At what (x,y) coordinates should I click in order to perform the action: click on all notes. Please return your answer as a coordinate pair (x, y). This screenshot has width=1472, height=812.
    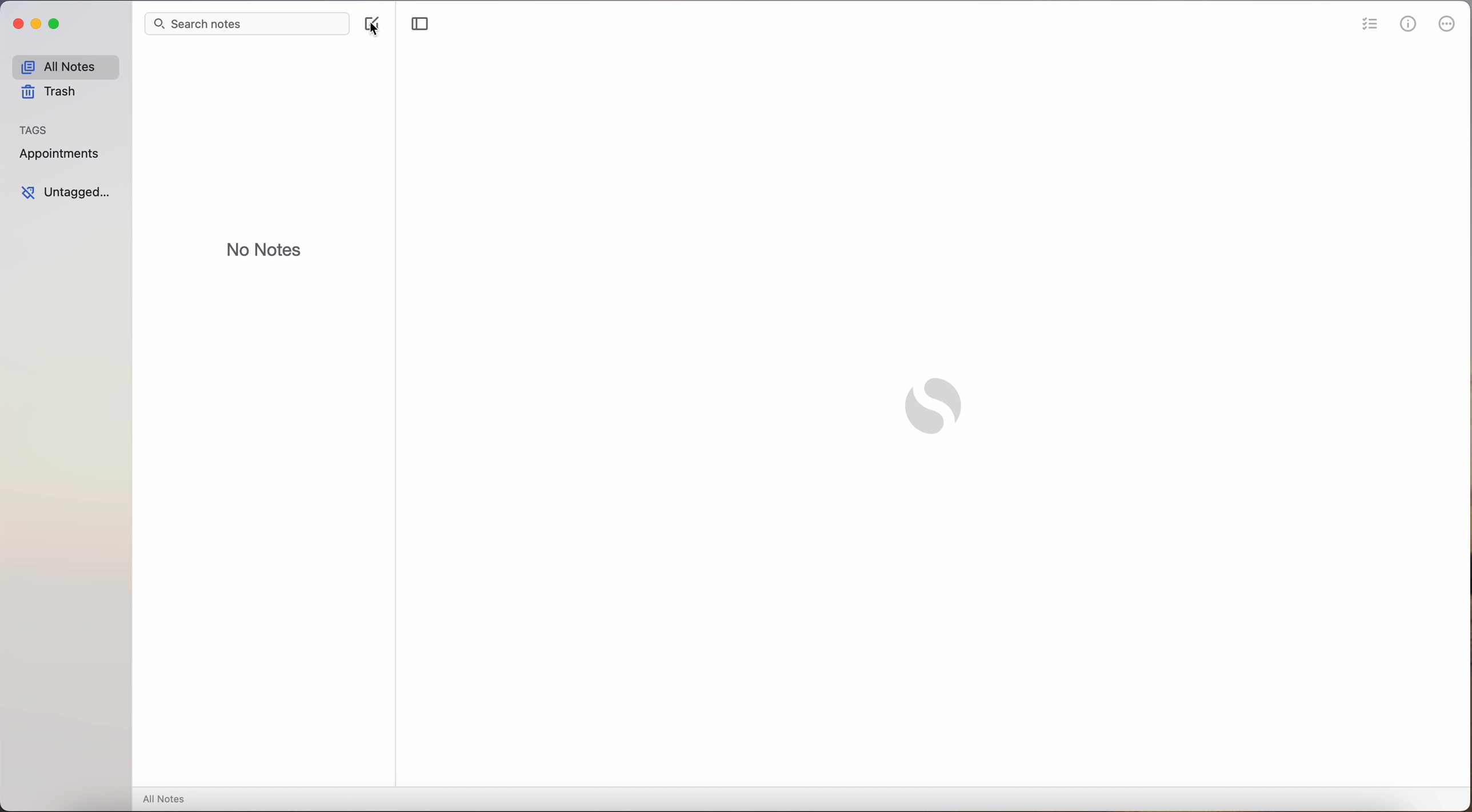
    Looking at the image, I should click on (163, 798).